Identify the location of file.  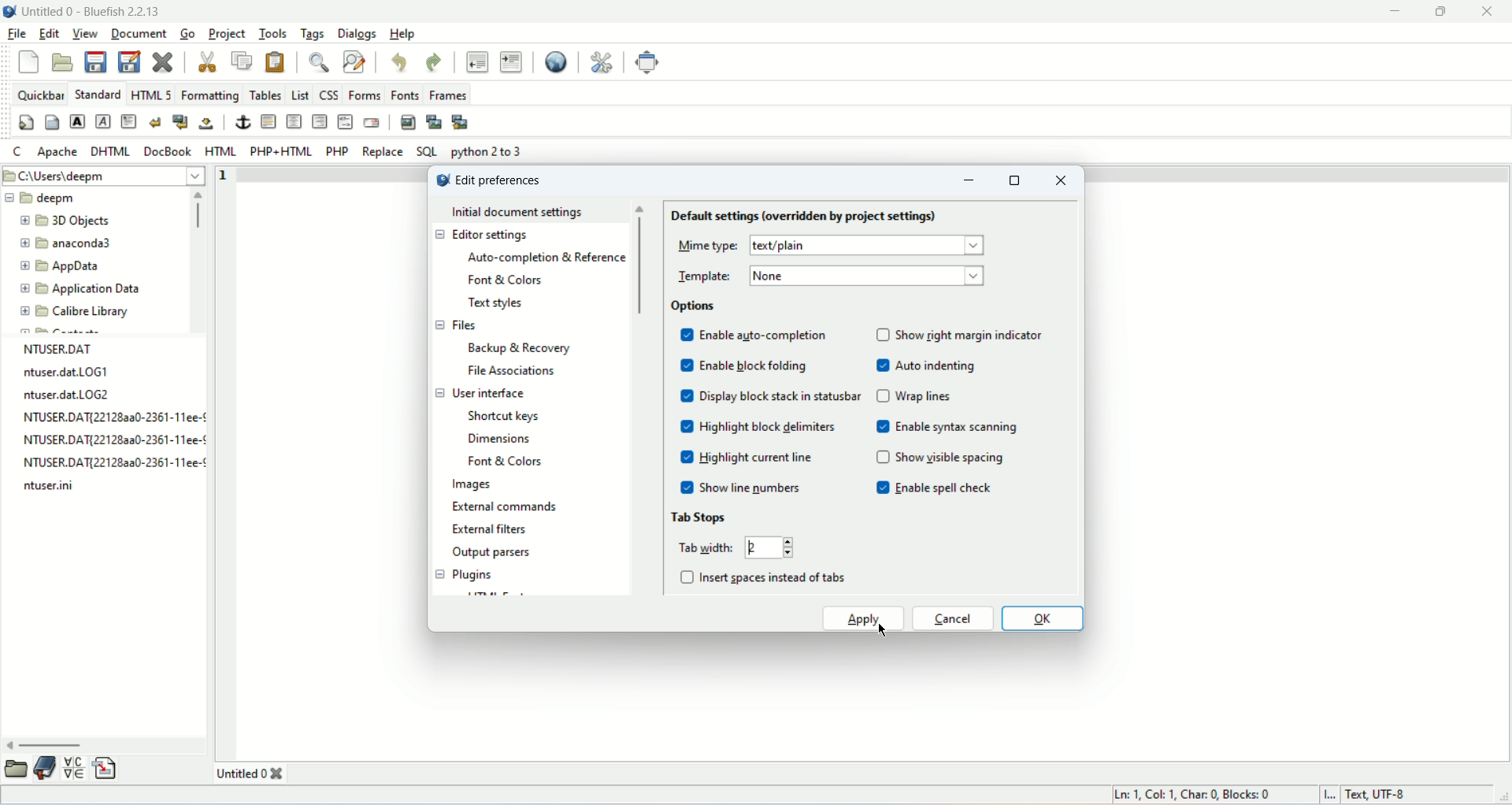
(18, 34).